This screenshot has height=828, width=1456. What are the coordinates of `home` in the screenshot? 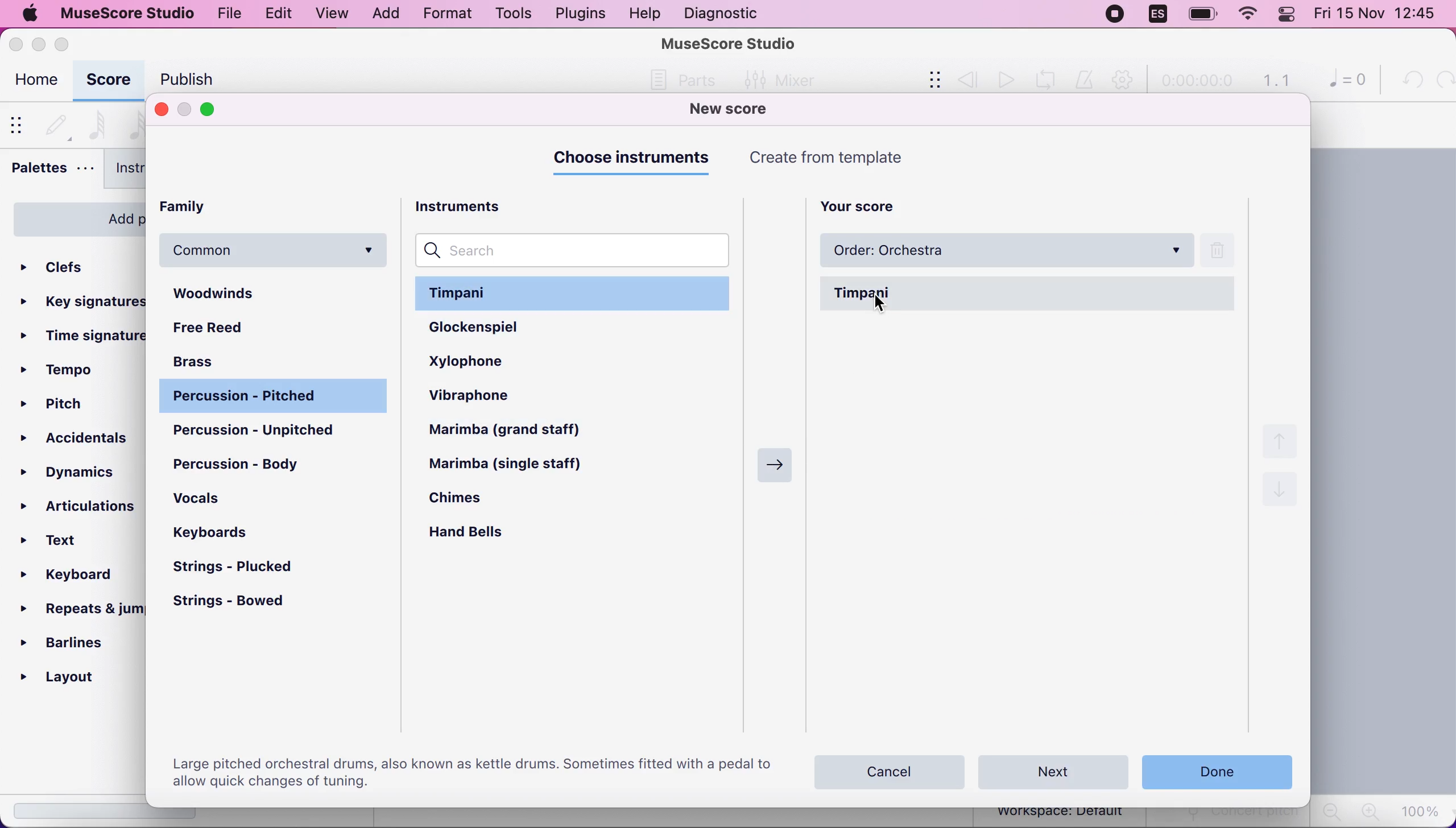 It's located at (35, 82).